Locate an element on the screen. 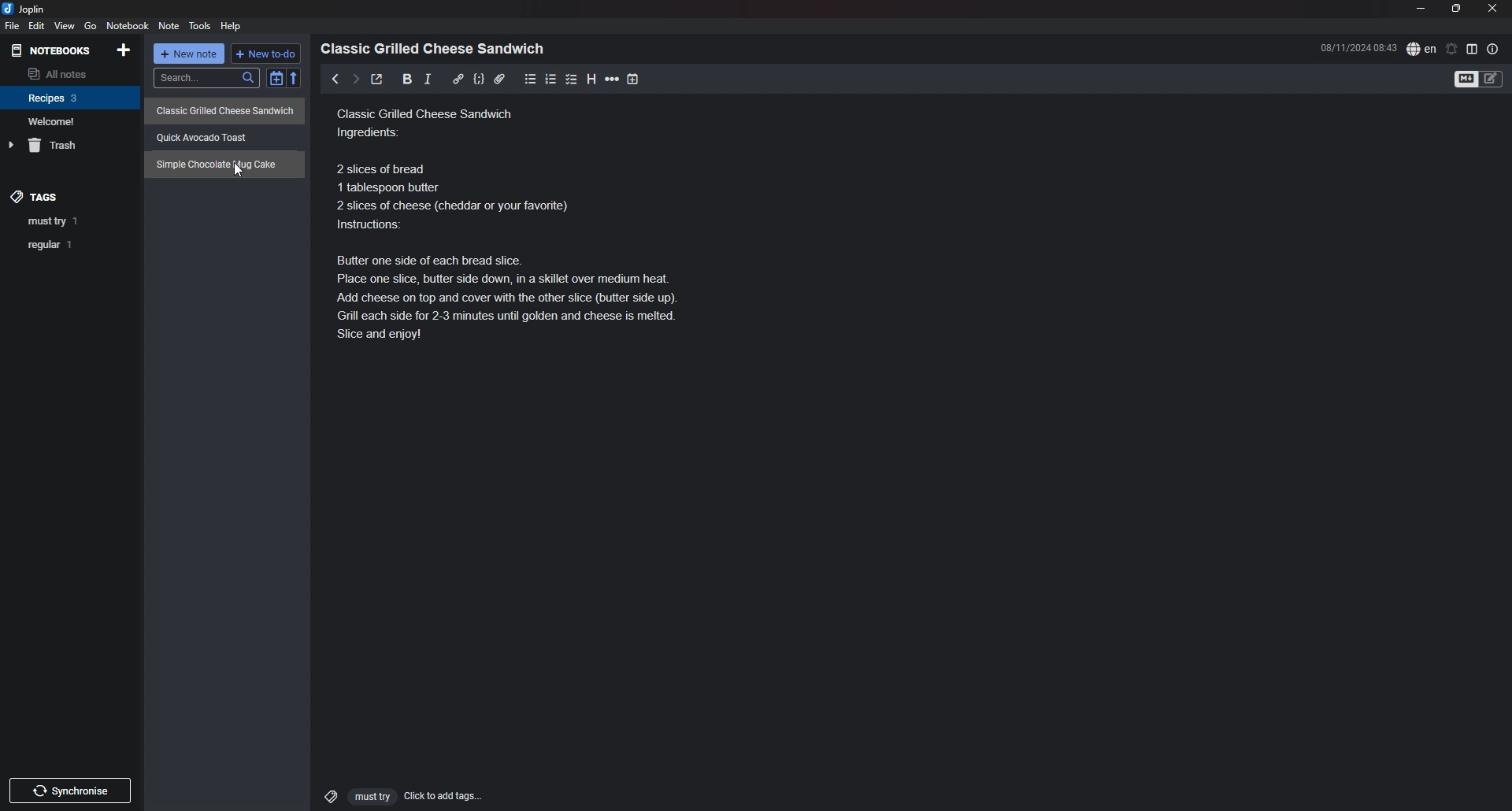 The width and height of the screenshot is (1512, 811). notebook is located at coordinates (71, 97).